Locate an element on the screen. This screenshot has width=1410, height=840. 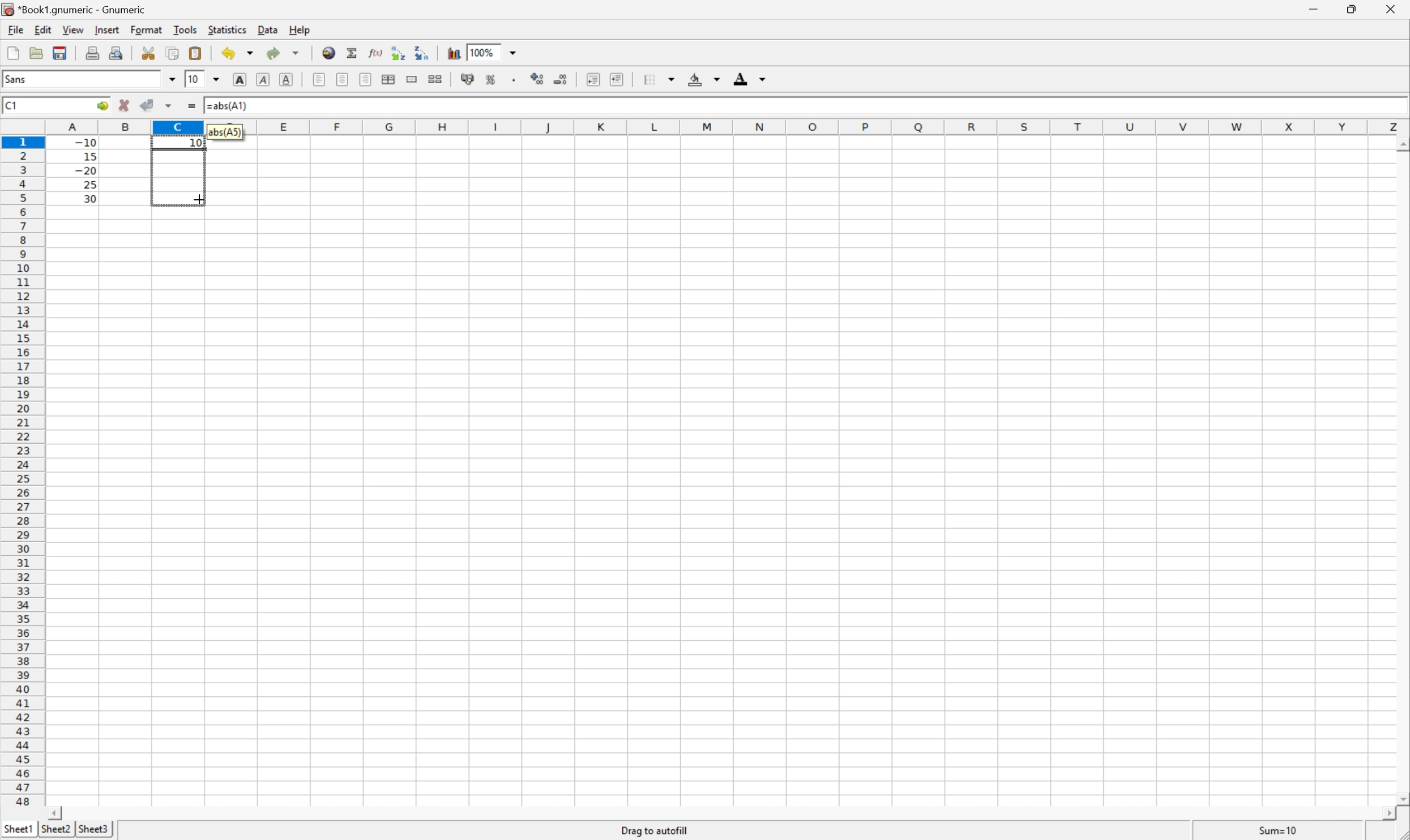
Sort the selected region in ascending order based on the first column selected is located at coordinates (396, 52).